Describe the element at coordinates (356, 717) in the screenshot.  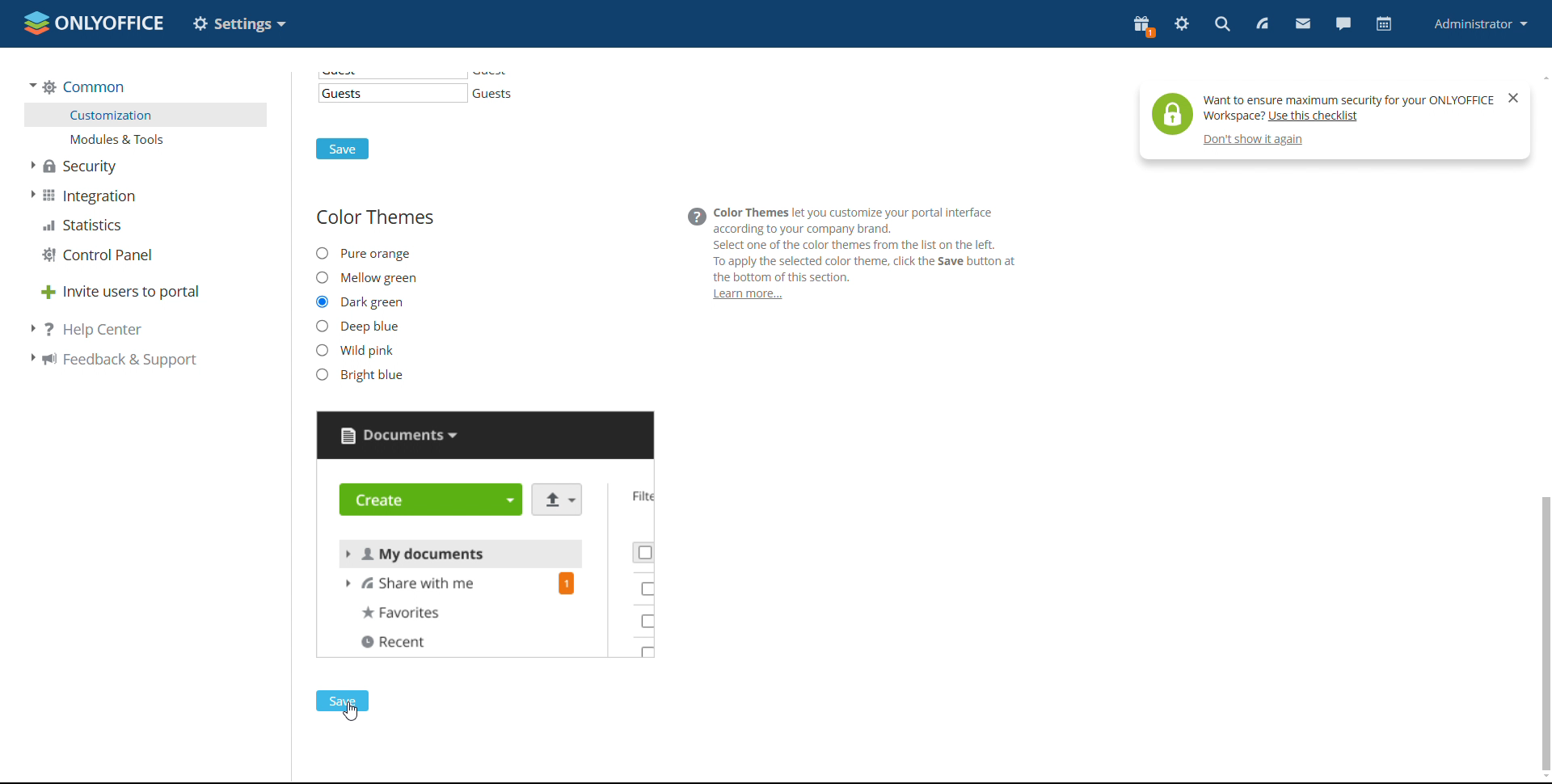
I see `cursor` at that location.